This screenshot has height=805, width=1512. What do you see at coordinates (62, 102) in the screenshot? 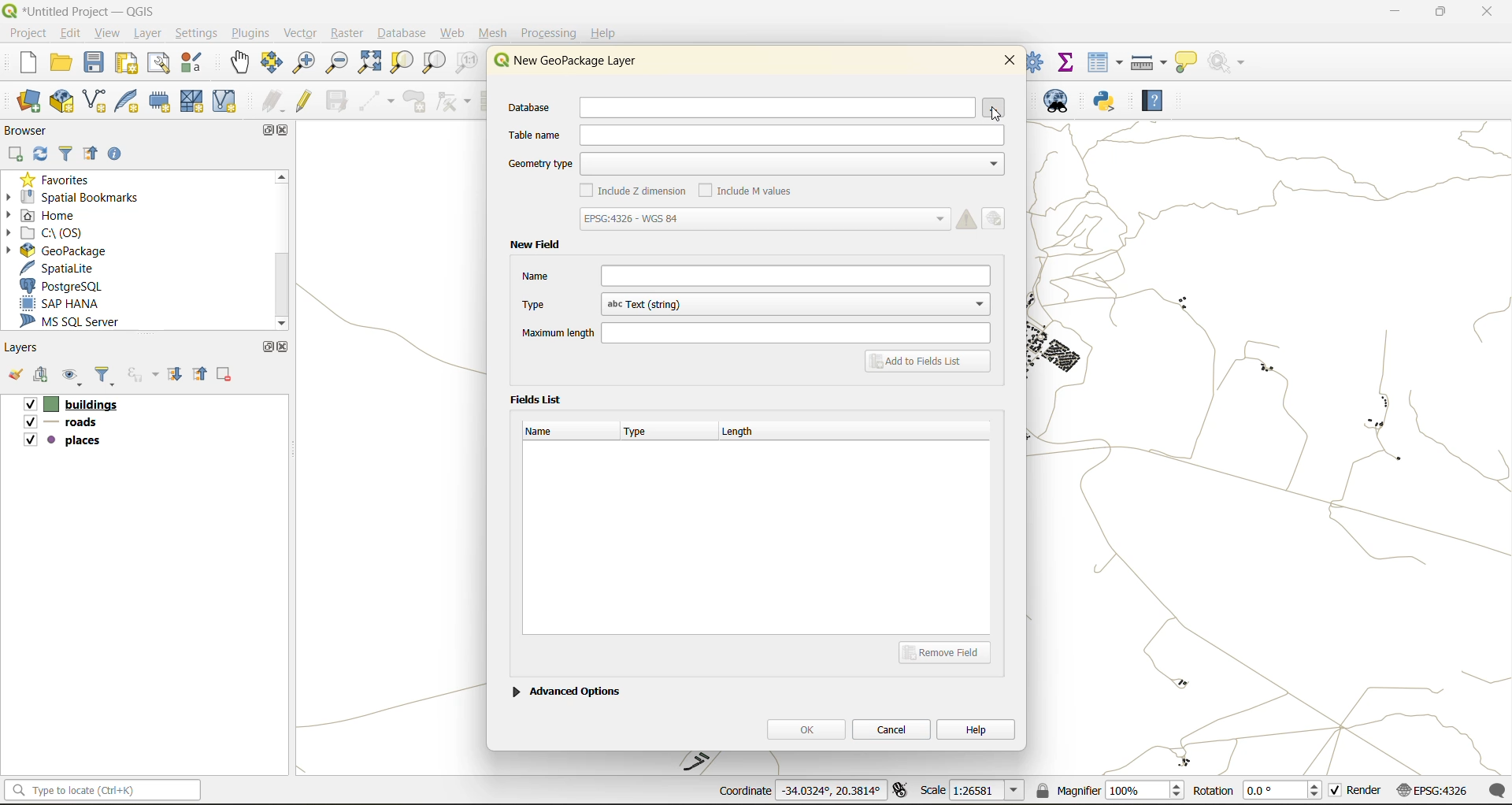
I see `new geopackage ` at bounding box center [62, 102].